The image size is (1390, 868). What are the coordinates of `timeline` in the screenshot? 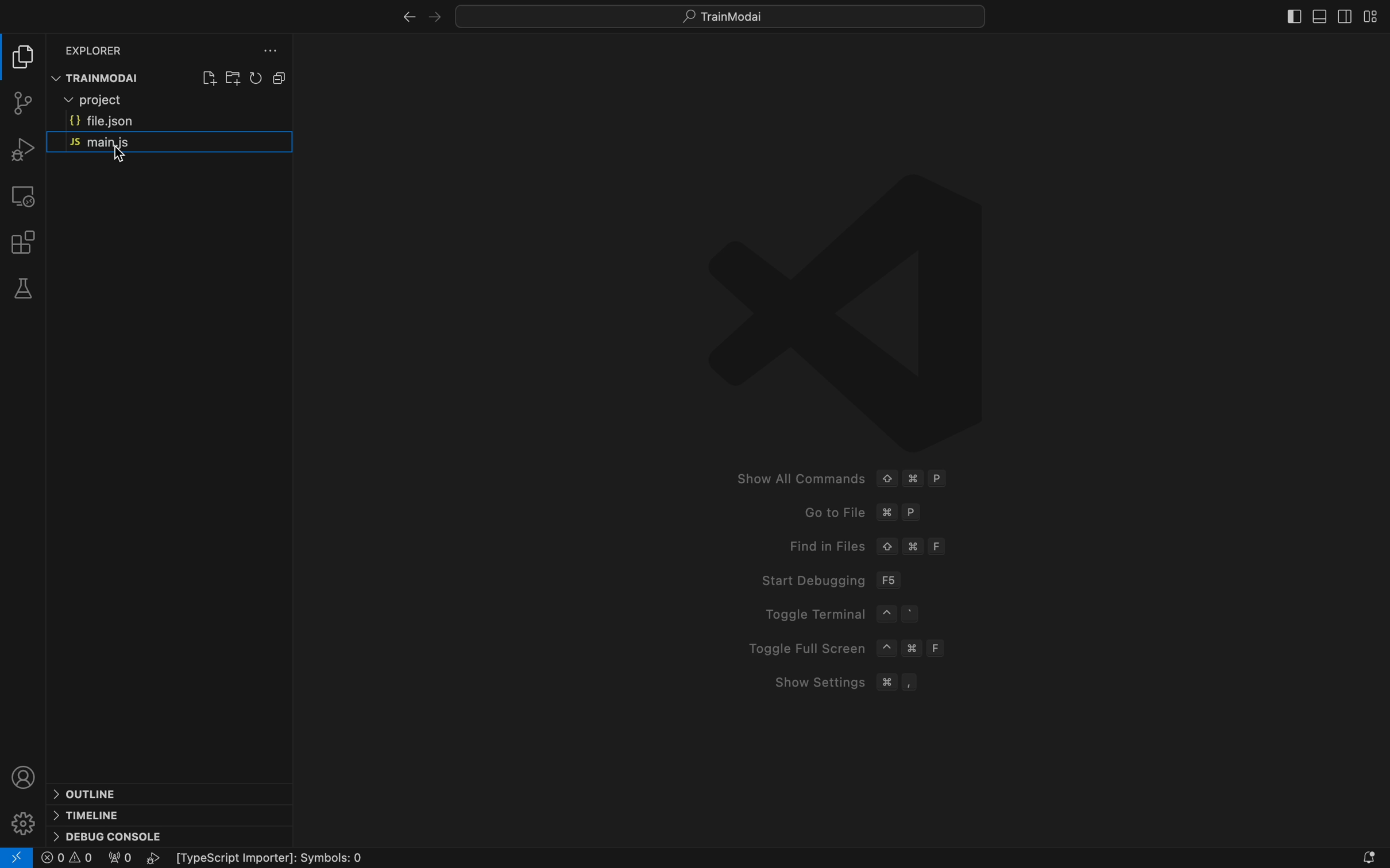 It's located at (90, 814).